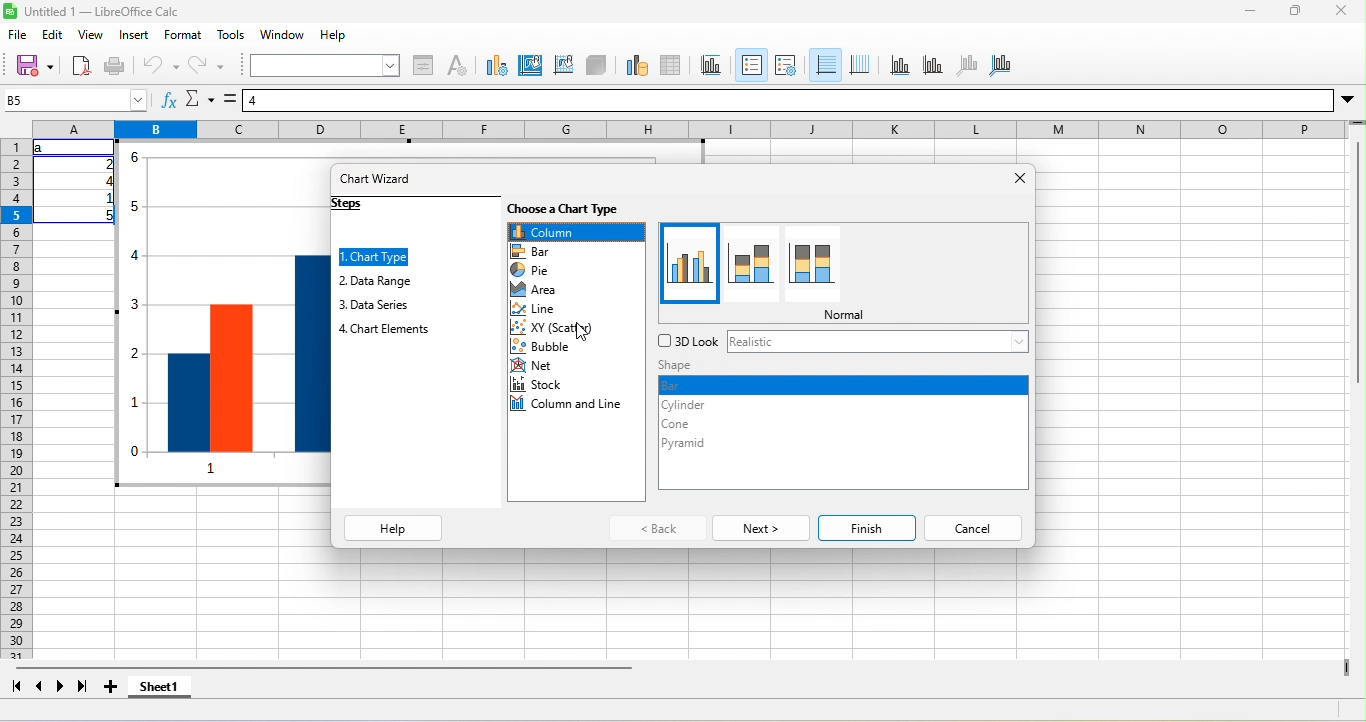  Describe the element at coordinates (690, 129) in the screenshot. I see `column headings` at that location.